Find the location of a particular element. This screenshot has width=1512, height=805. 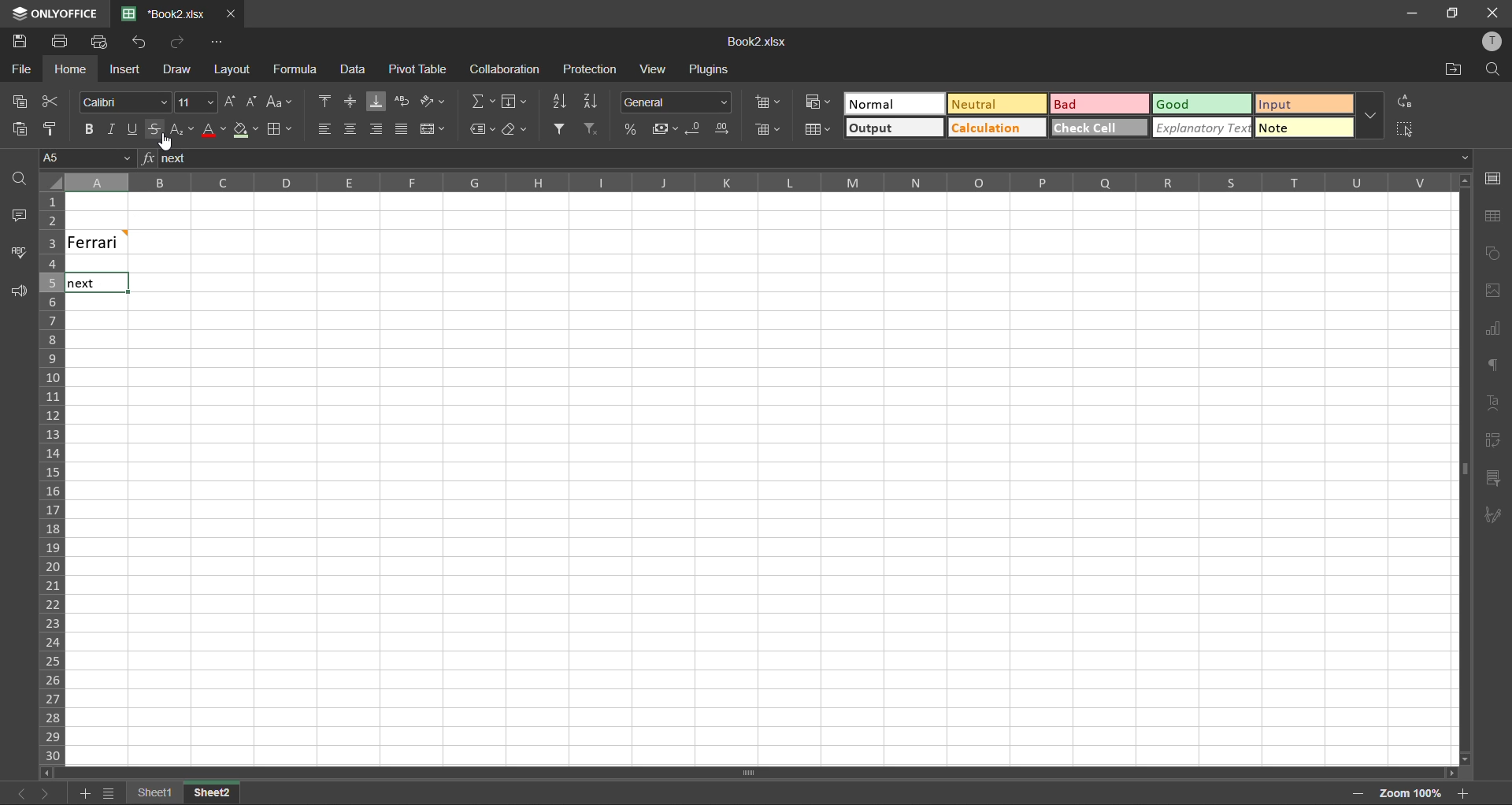

font size is located at coordinates (198, 102).